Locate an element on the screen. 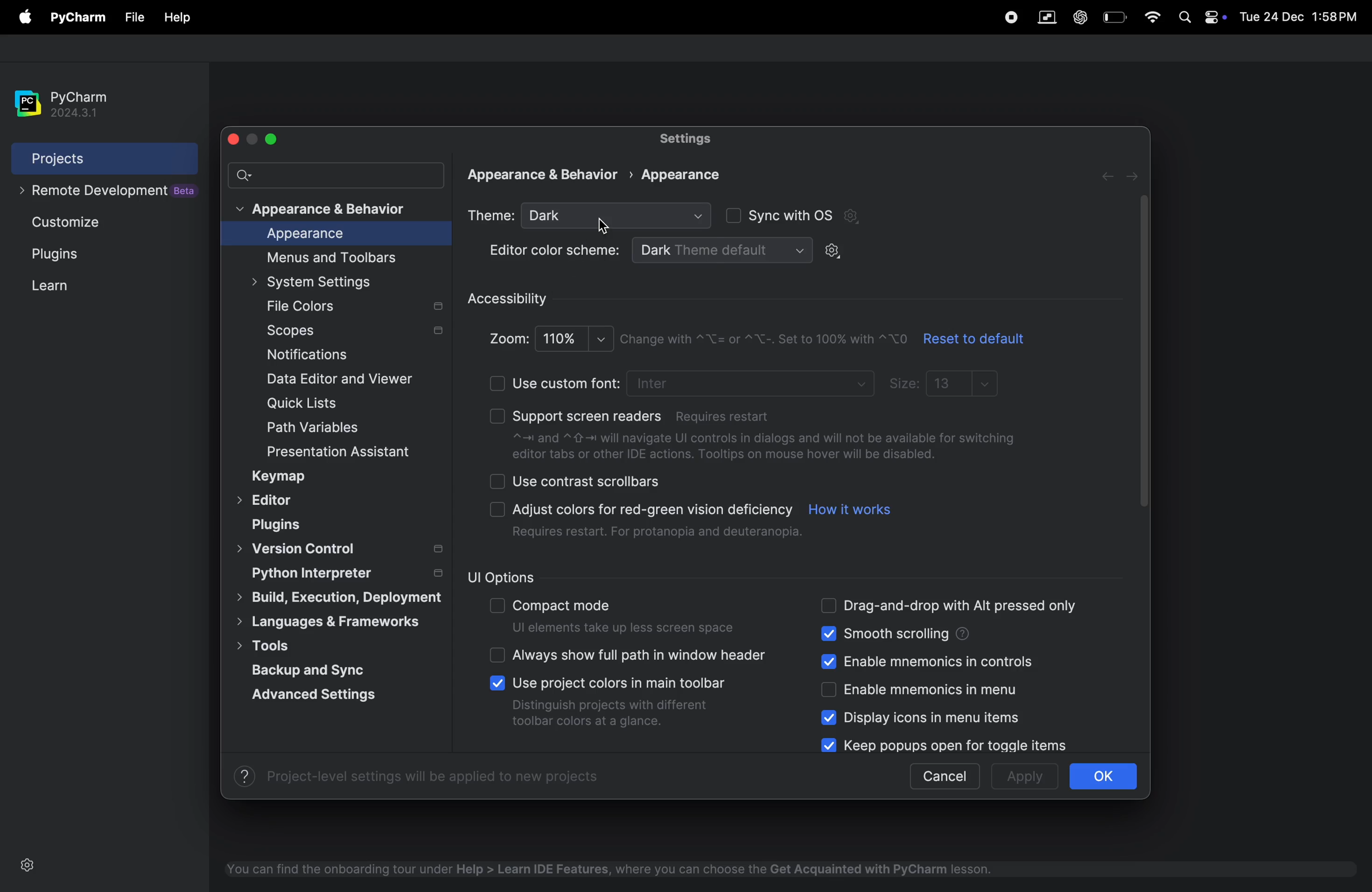 The width and height of the screenshot is (1372, 892). check boxes is located at coordinates (497, 483).